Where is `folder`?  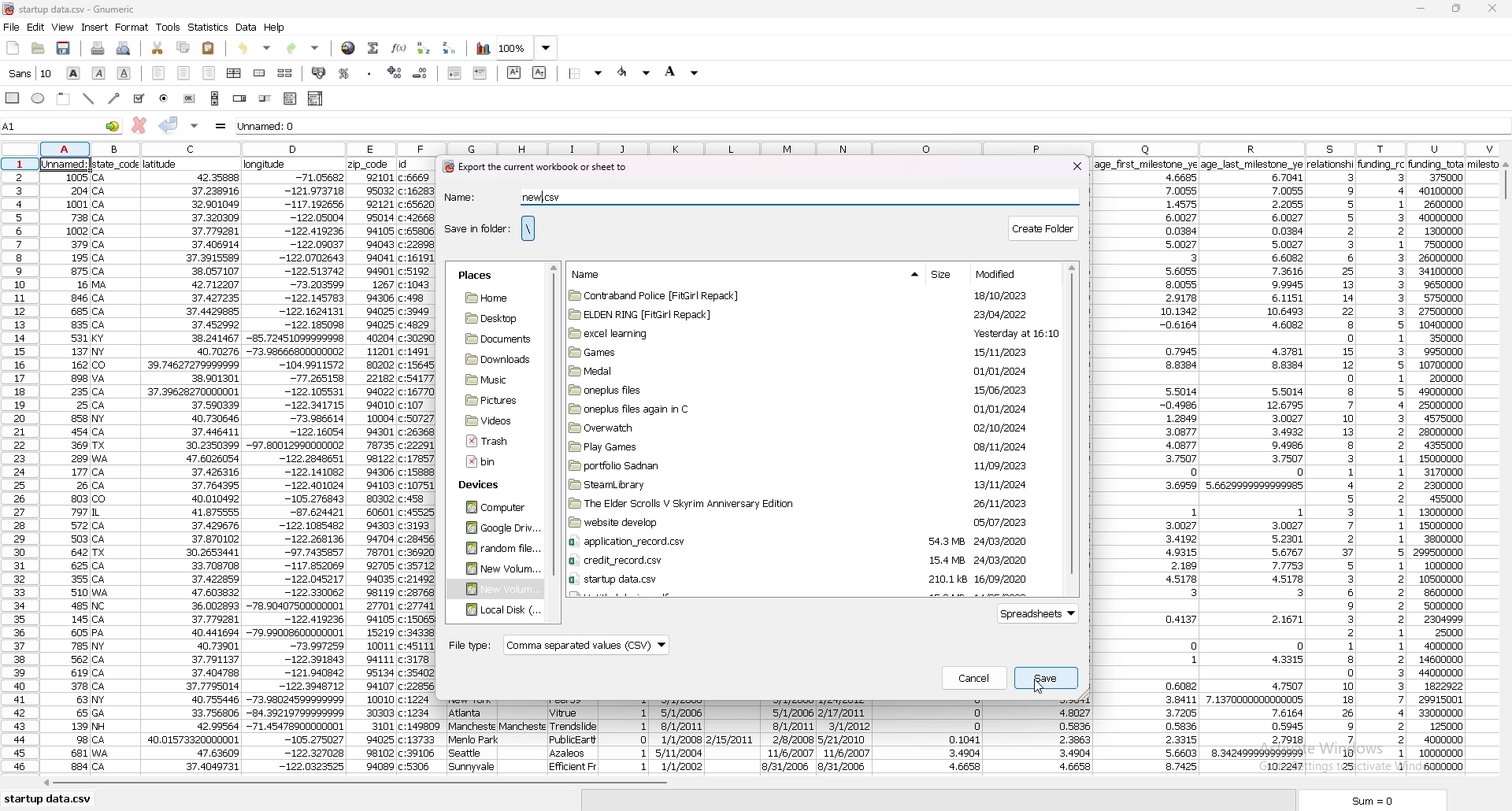
folder is located at coordinates (494, 298).